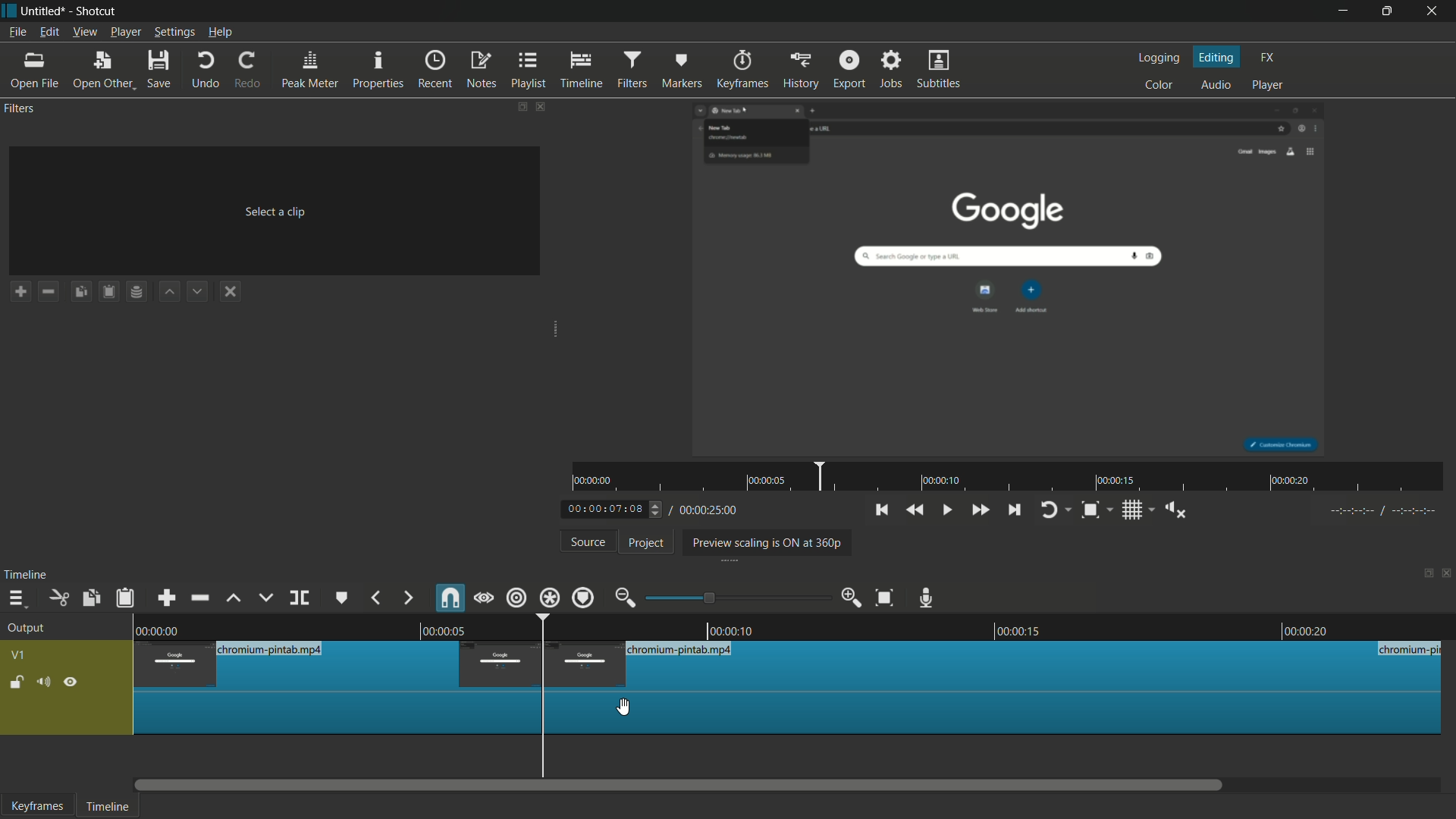  Describe the element at coordinates (95, 11) in the screenshot. I see `app name` at that location.